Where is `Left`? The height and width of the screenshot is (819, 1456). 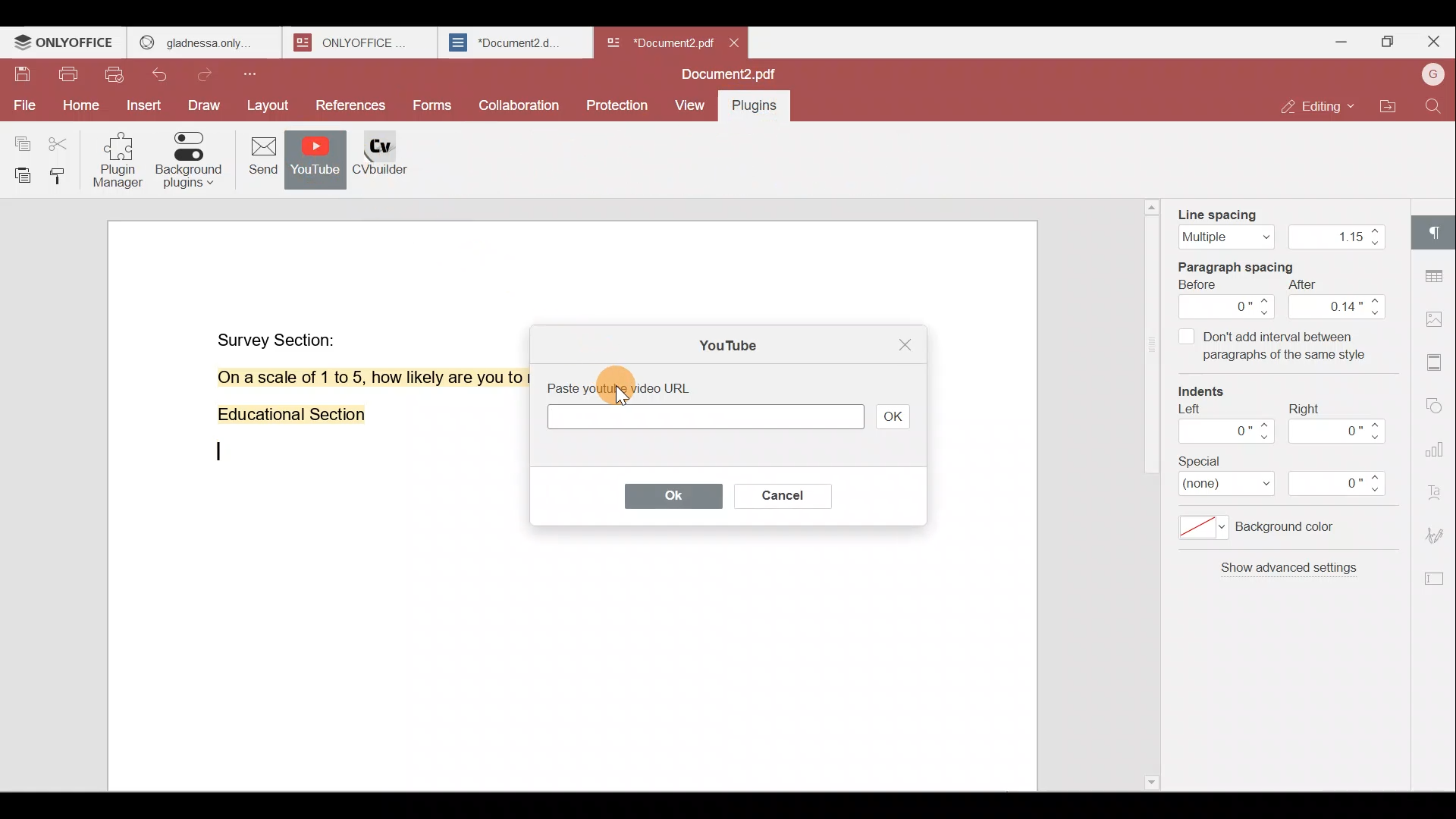
Left is located at coordinates (1223, 428).